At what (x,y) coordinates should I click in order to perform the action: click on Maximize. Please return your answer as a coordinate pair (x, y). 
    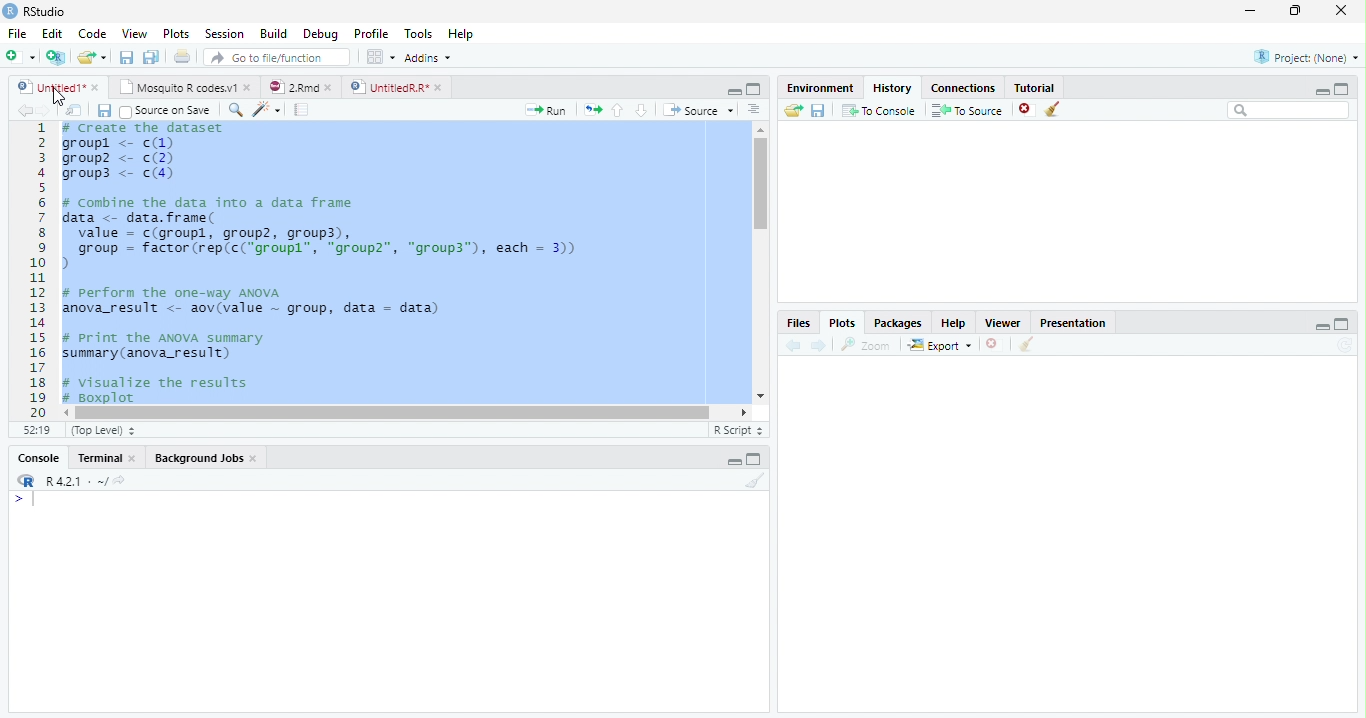
    Looking at the image, I should click on (755, 461).